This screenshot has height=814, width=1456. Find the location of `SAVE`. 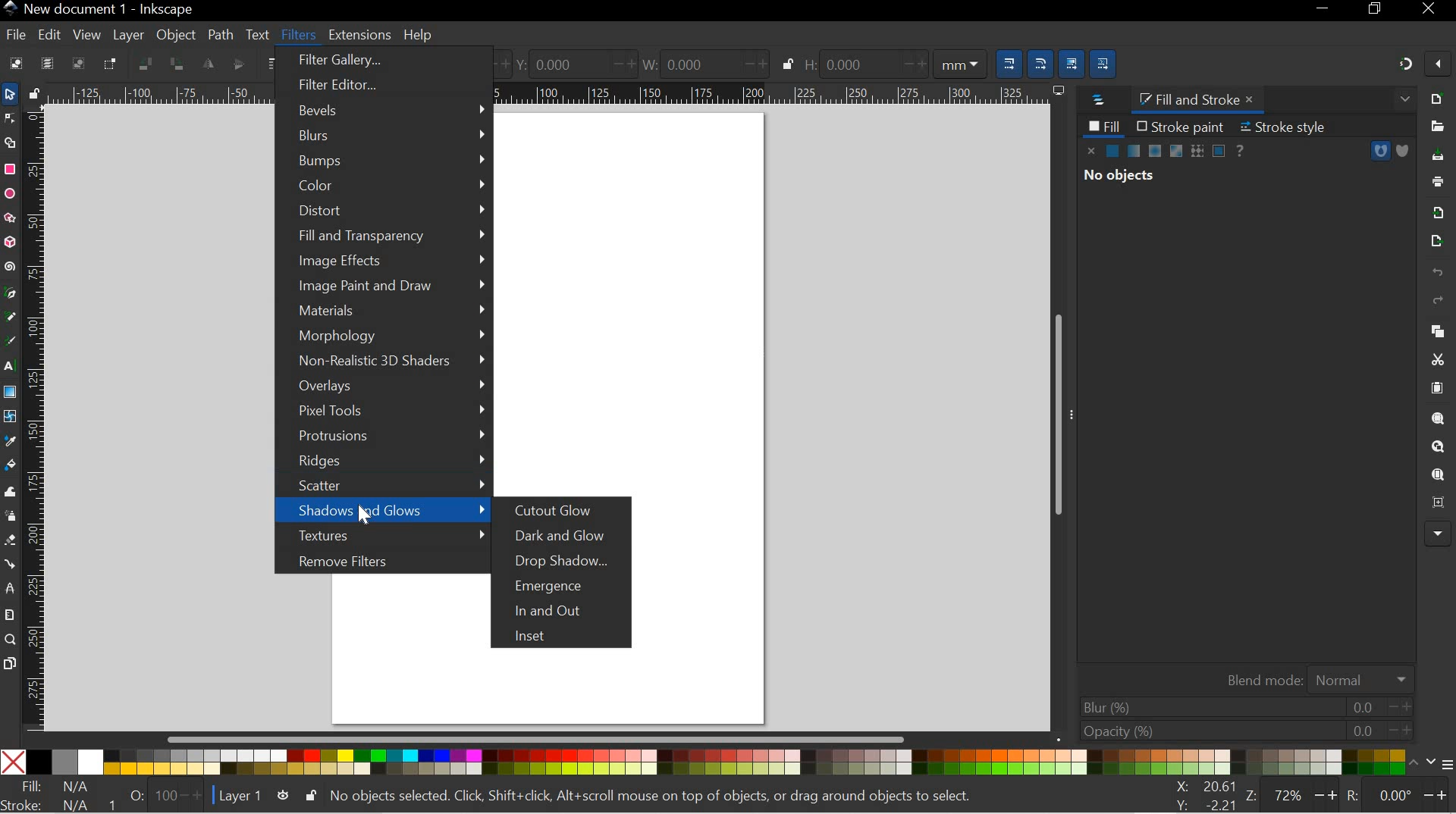

SAVE is located at coordinates (1439, 156).